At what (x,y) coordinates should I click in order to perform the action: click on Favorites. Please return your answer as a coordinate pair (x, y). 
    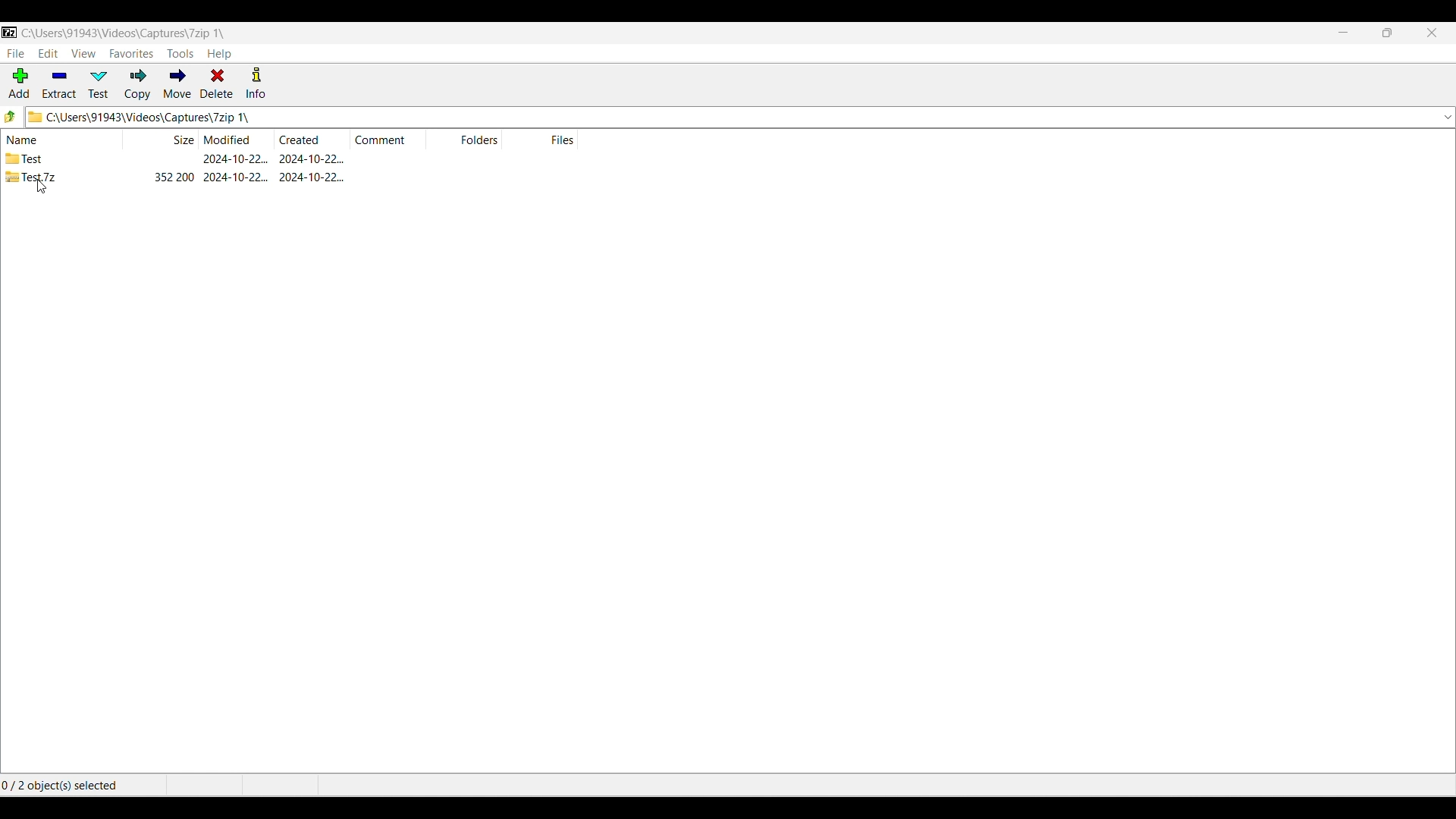
    Looking at the image, I should click on (132, 54).